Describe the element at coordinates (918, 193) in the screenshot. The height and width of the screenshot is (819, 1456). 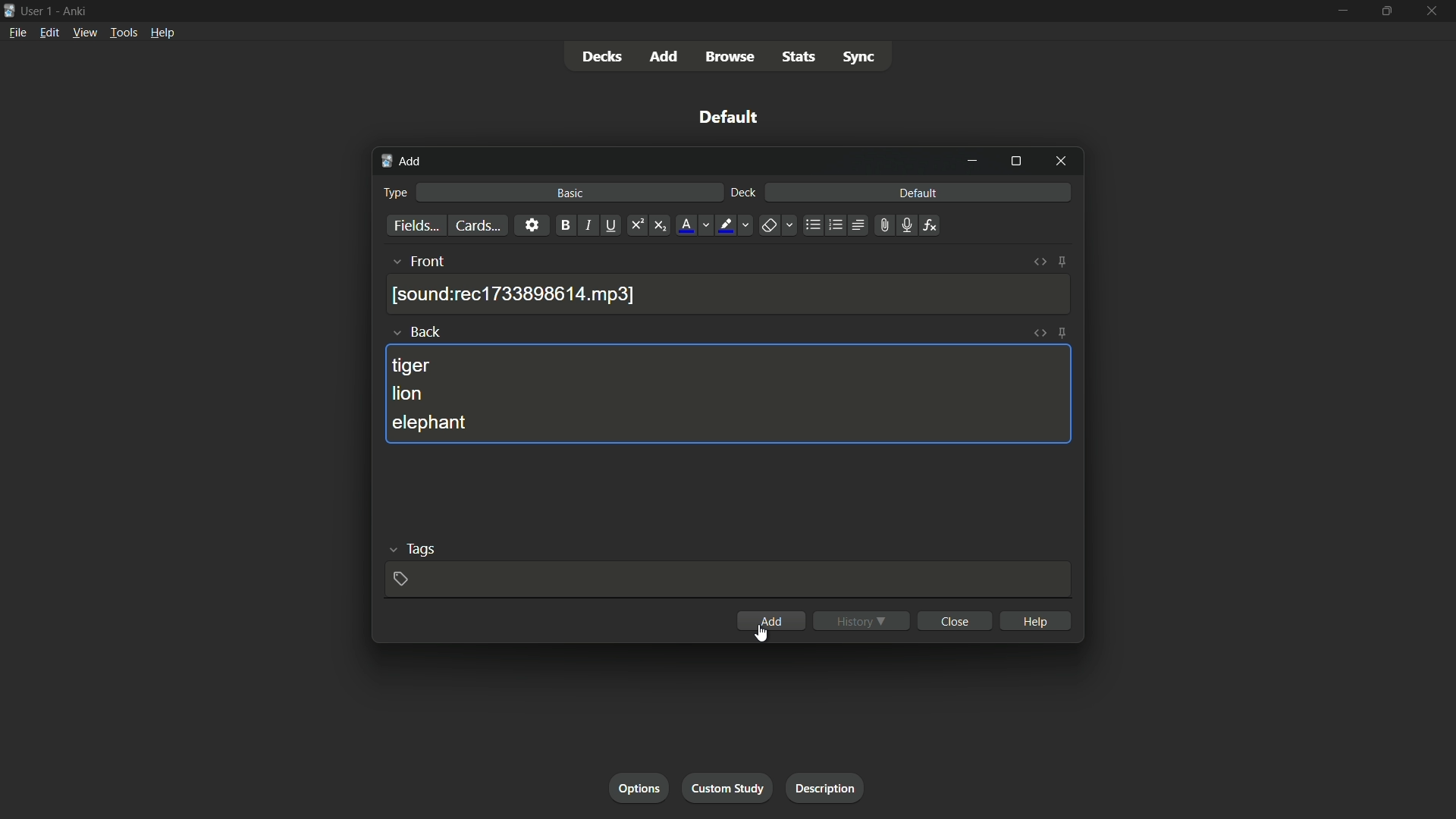
I see `default` at that location.